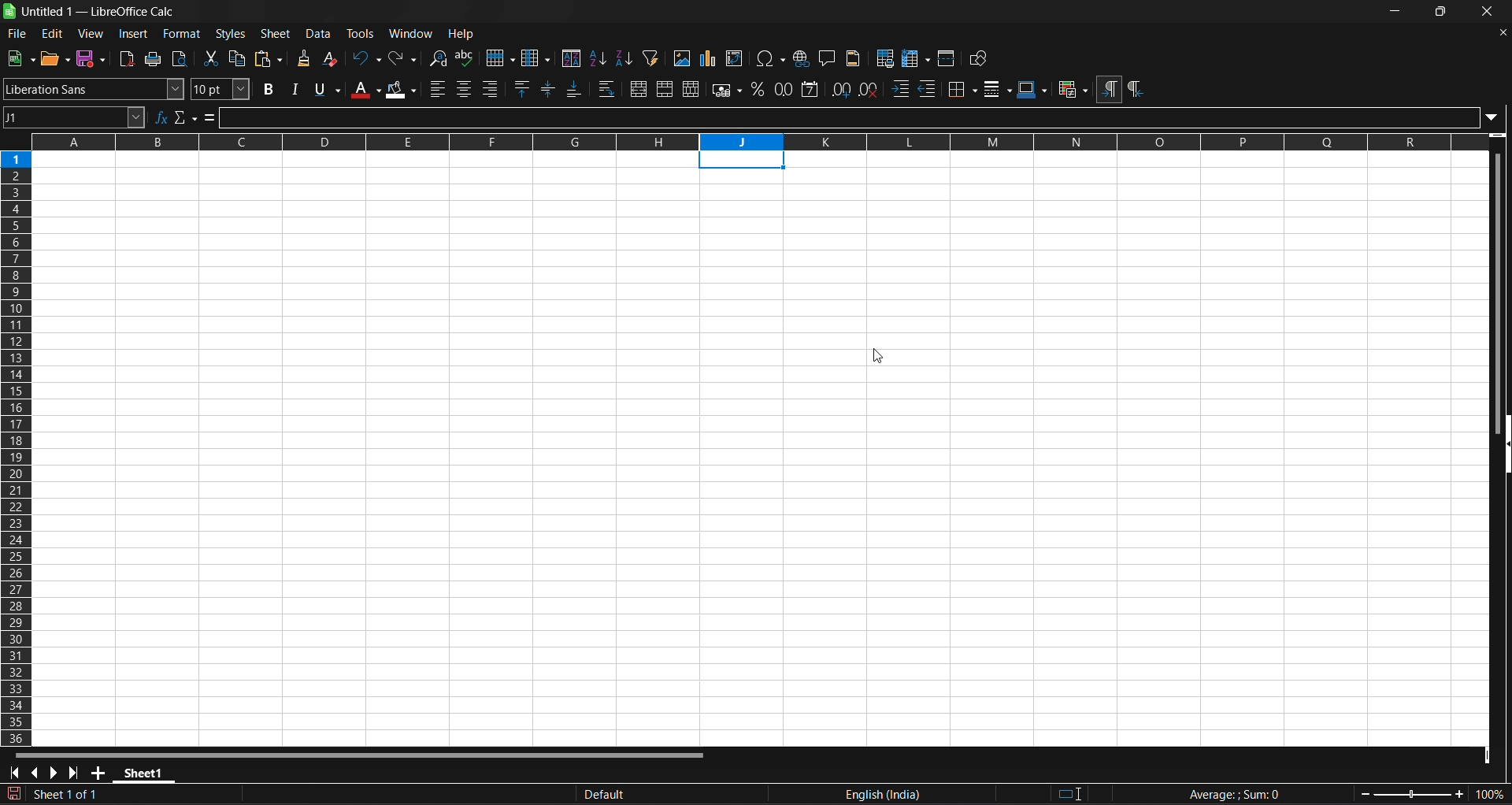 Image resolution: width=1512 pixels, height=805 pixels. Describe the element at coordinates (665, 88) in the screenshot. I see `merge cells` at that location.